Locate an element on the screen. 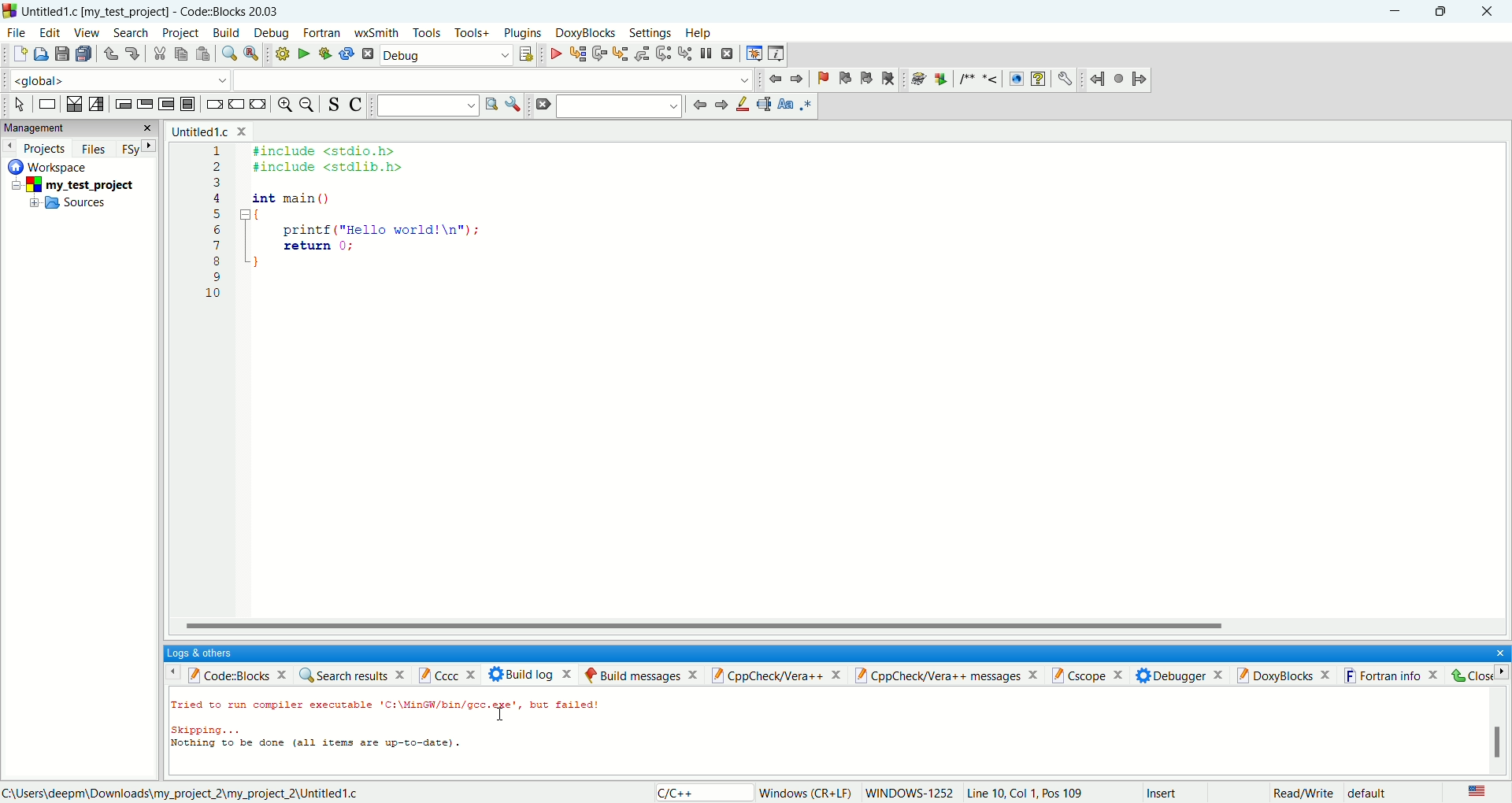  comment is located at coordinates (981, 79).